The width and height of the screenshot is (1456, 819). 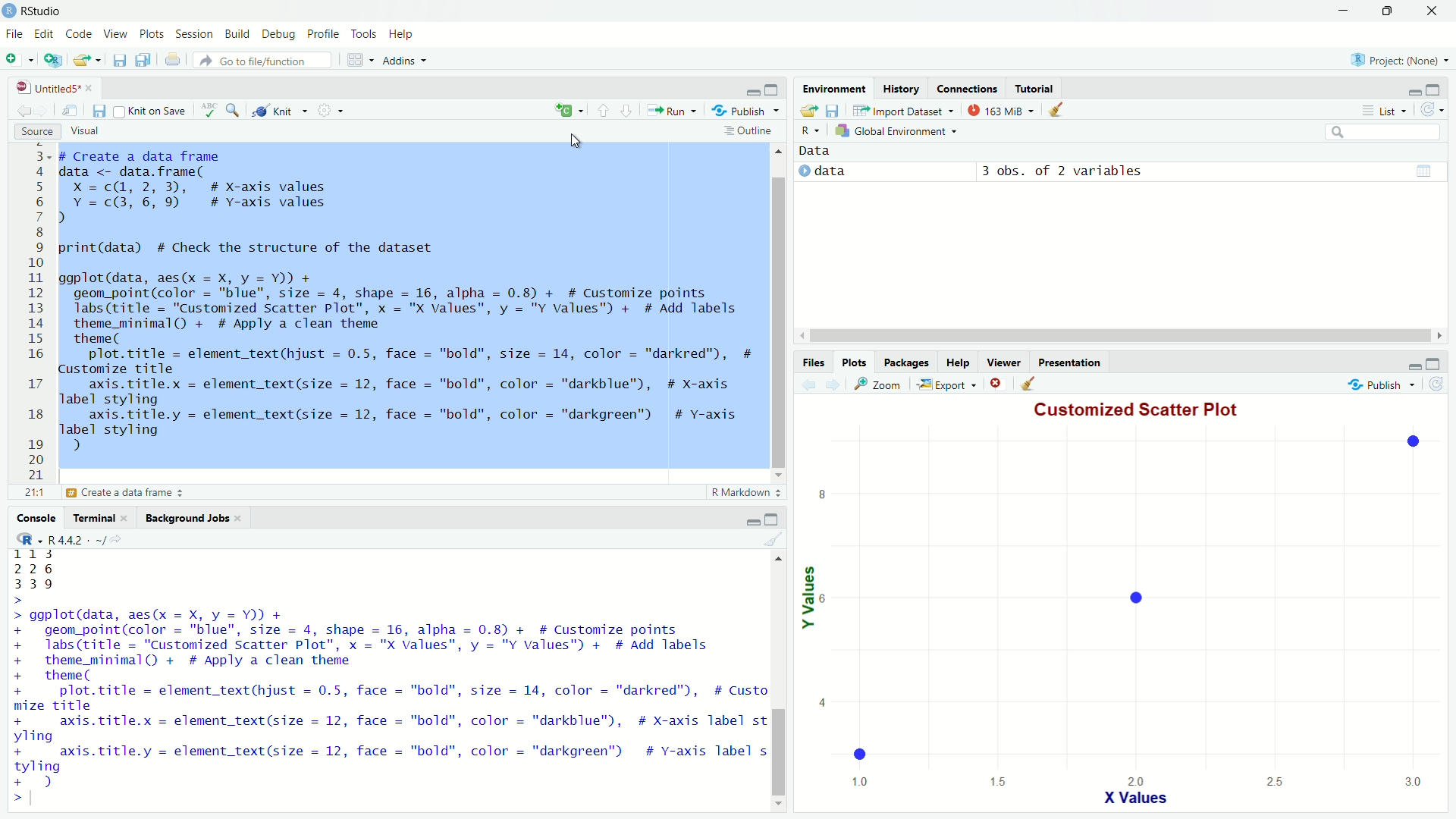 What do you see at coordinates (24, 114) in the screenshot?
I see `Go back to the previous source location` at bounding box center [24, 114].